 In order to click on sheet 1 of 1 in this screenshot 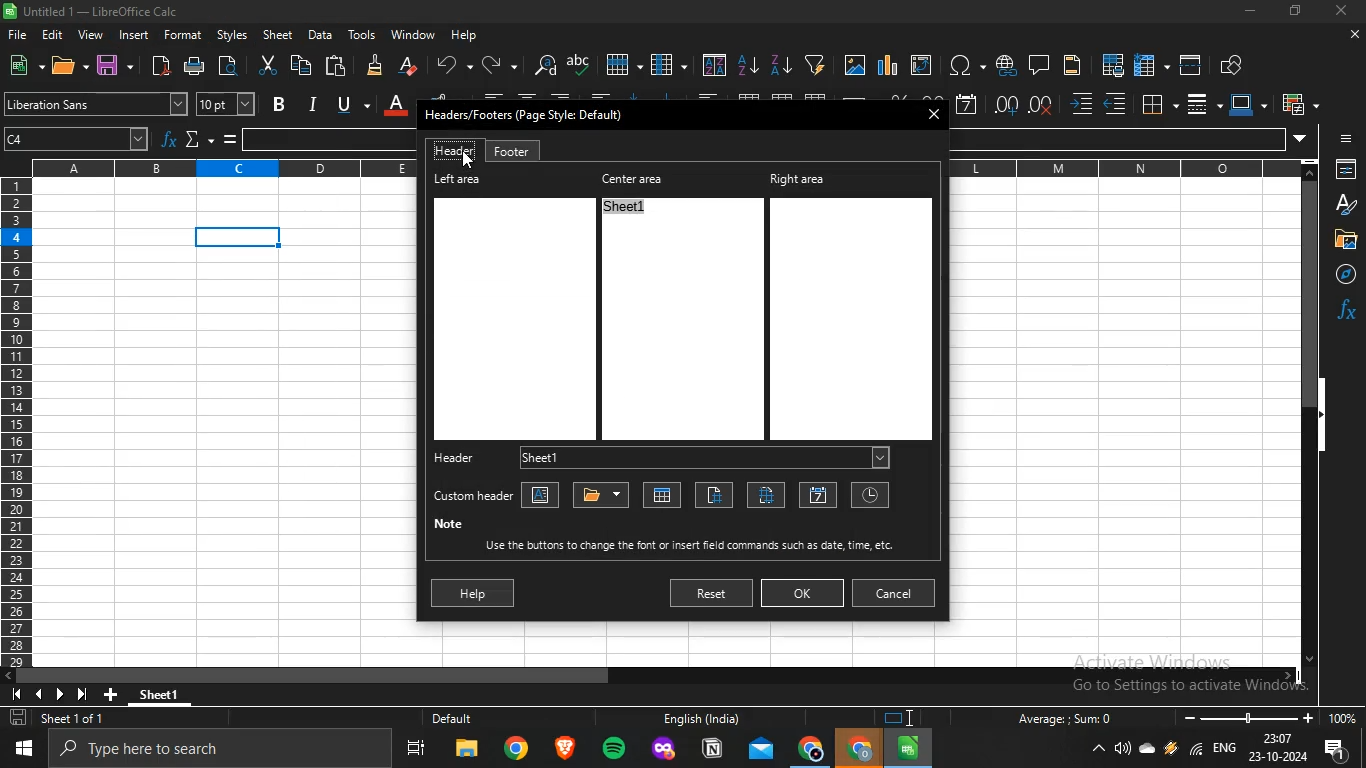, I will do `click(61, 719)`.